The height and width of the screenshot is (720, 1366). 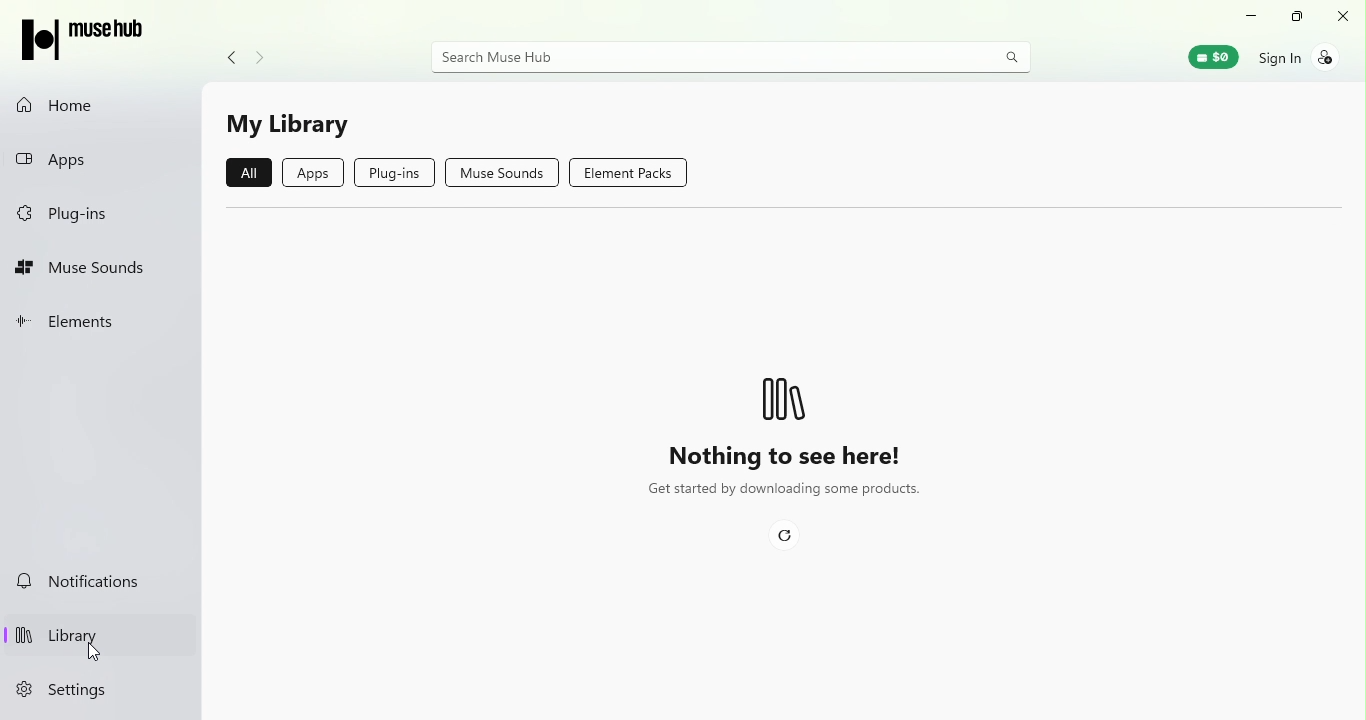 I want to click on Cursor, so click(x=99, y=657).